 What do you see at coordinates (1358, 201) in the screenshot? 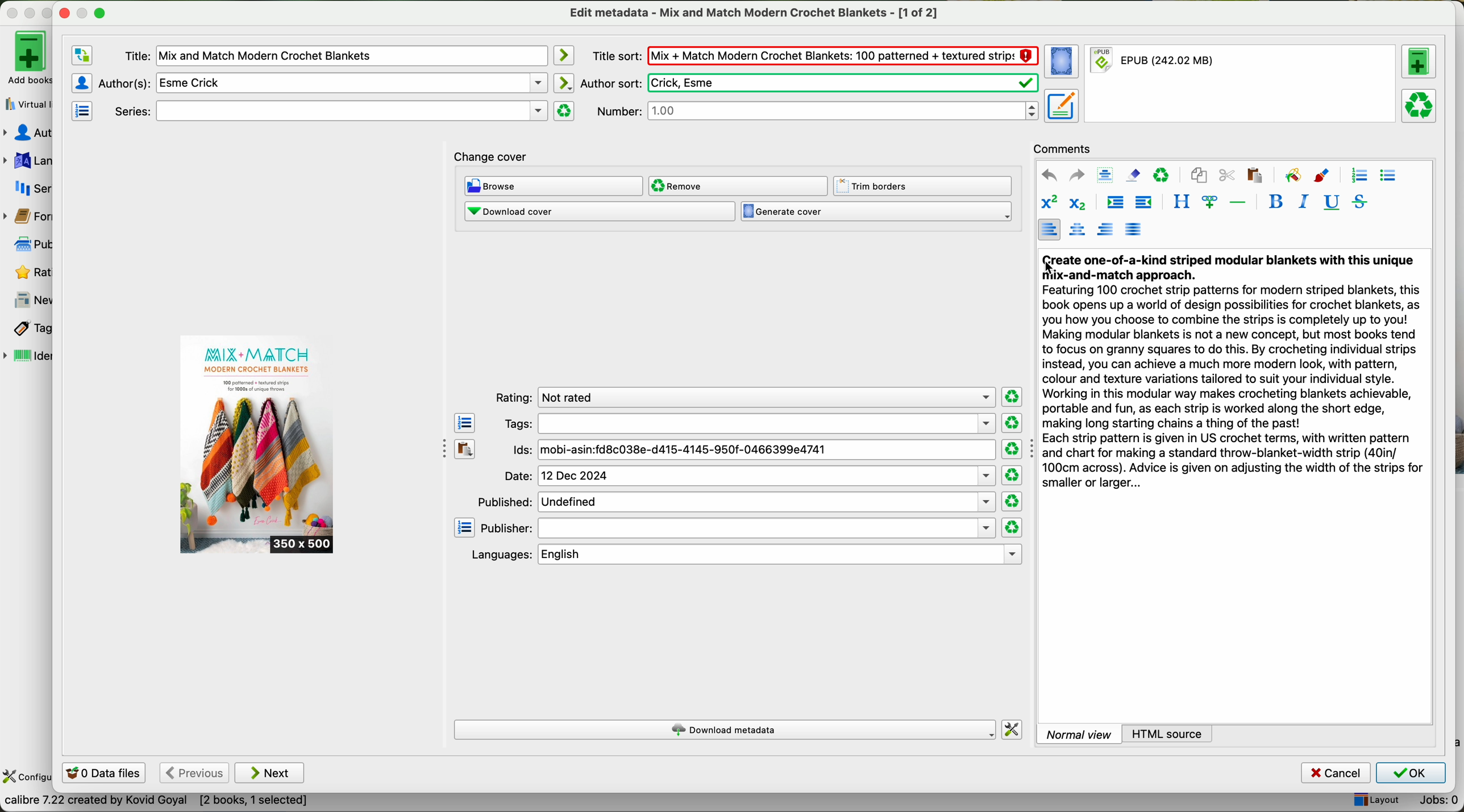
I see `strikeout` at bounding box center [1358, 201].